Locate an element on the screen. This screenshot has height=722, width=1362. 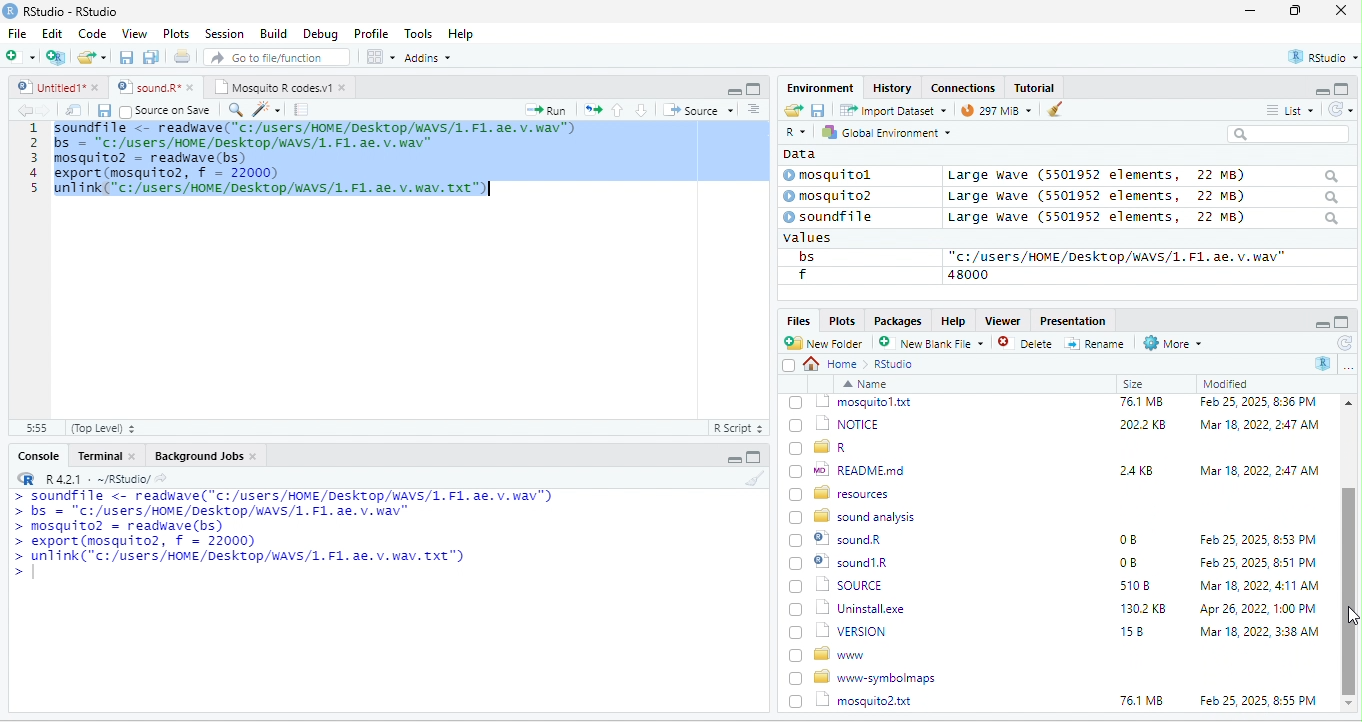
= List ~ is located at coordinates (1286, 110).